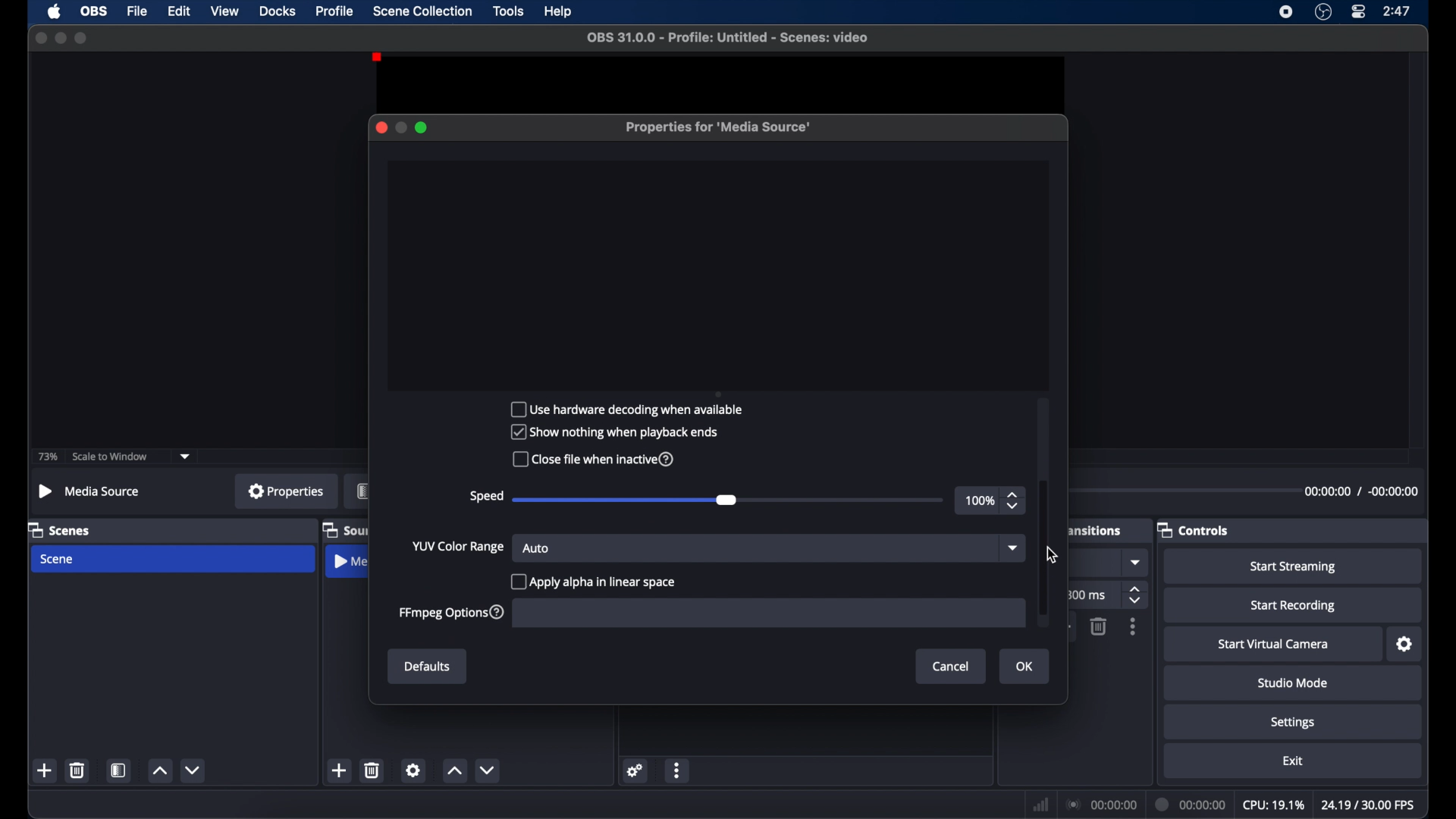 The height and width of the screenshot is (819, 1456). Describe the element at coordinates (728, 38) in the screenshot. I see `file name` at that location.